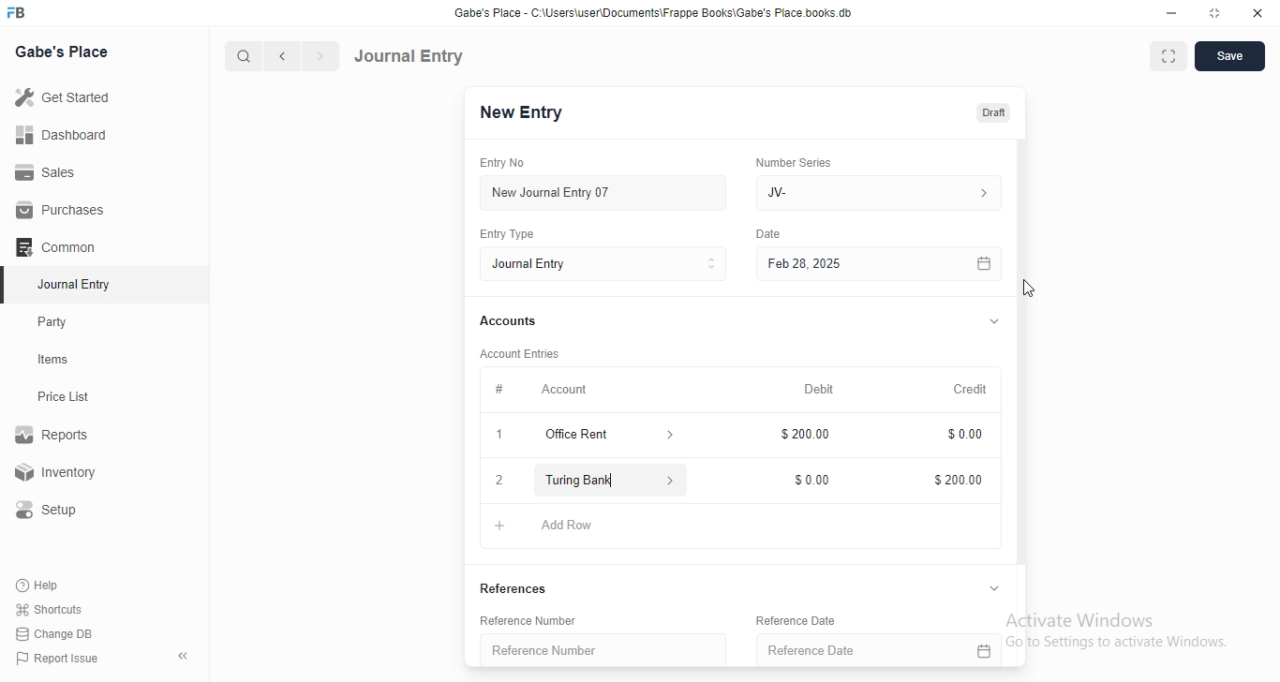 The height and width of the screenshot is (682, 1280). What do you see at coordinates (602, 264) in the screenshot?
I see `Entry Type` at bounding box center [602, 264].